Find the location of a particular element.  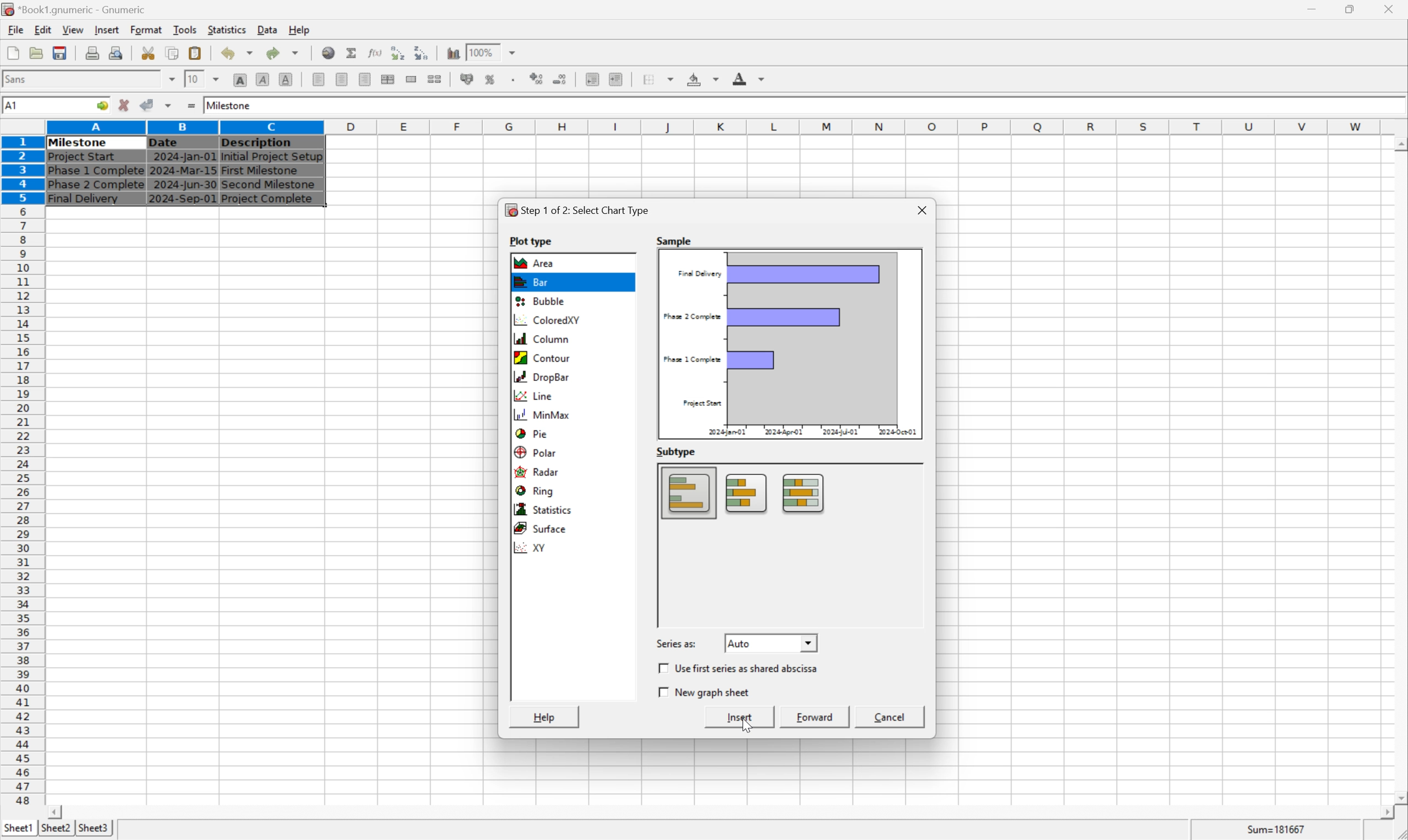

redo is located at coordinates (285, 52).